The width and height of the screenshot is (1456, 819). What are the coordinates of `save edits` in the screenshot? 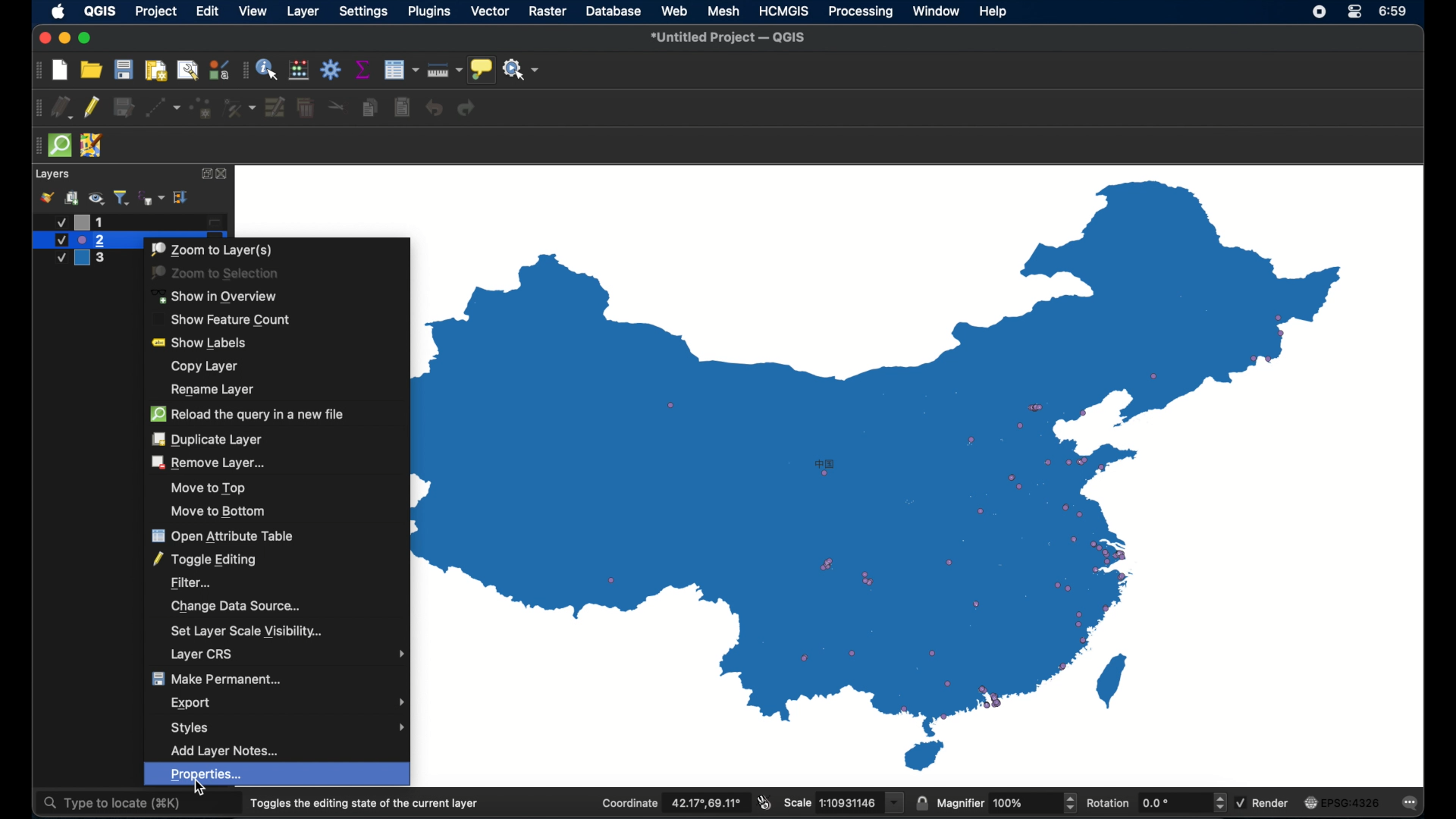 It's located at (124, 107).